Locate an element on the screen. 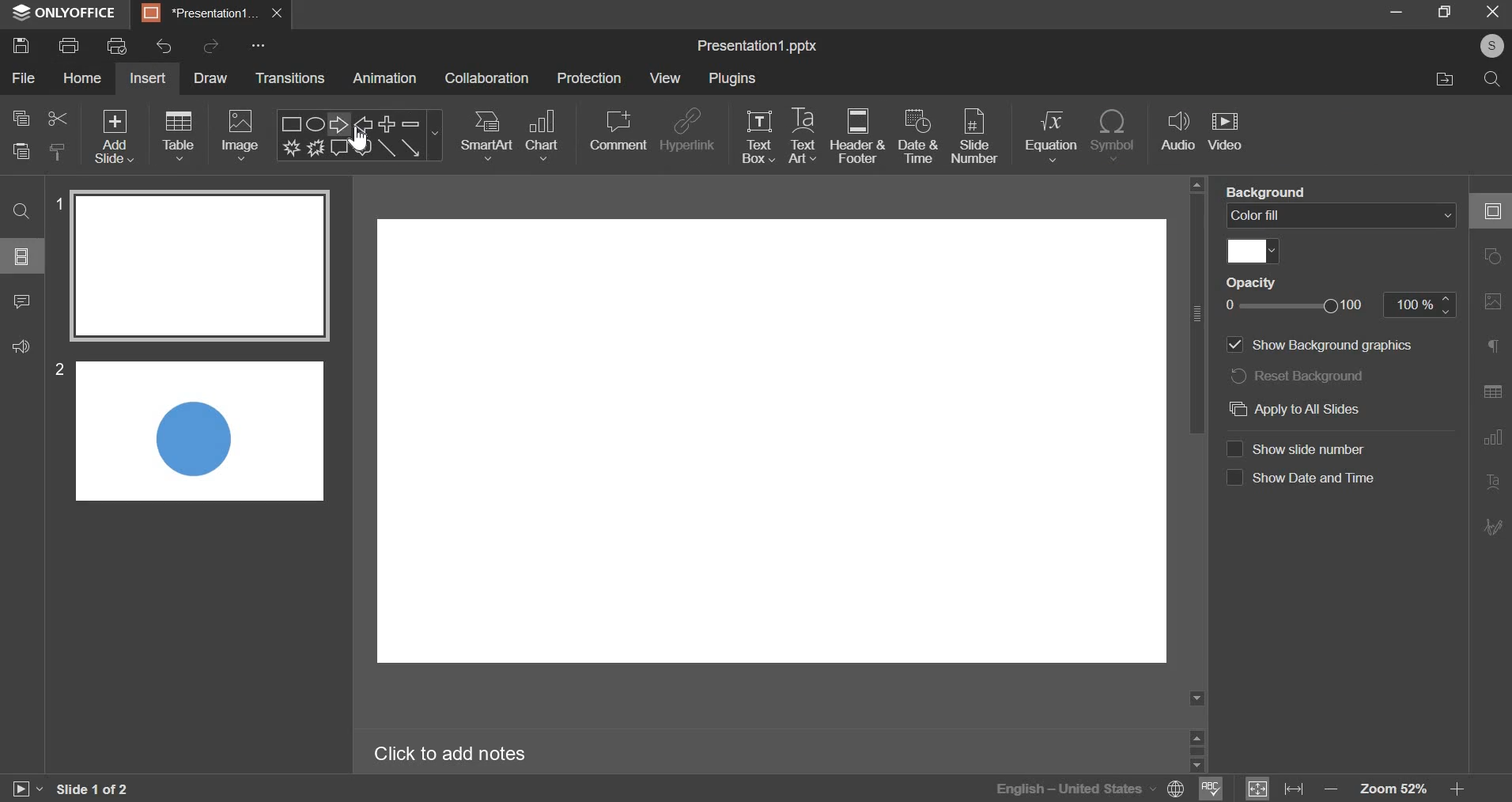 Image resolution: width=1512 pixels, height=802 pixels. slide 1 preview is located at coordinates (202, 267).